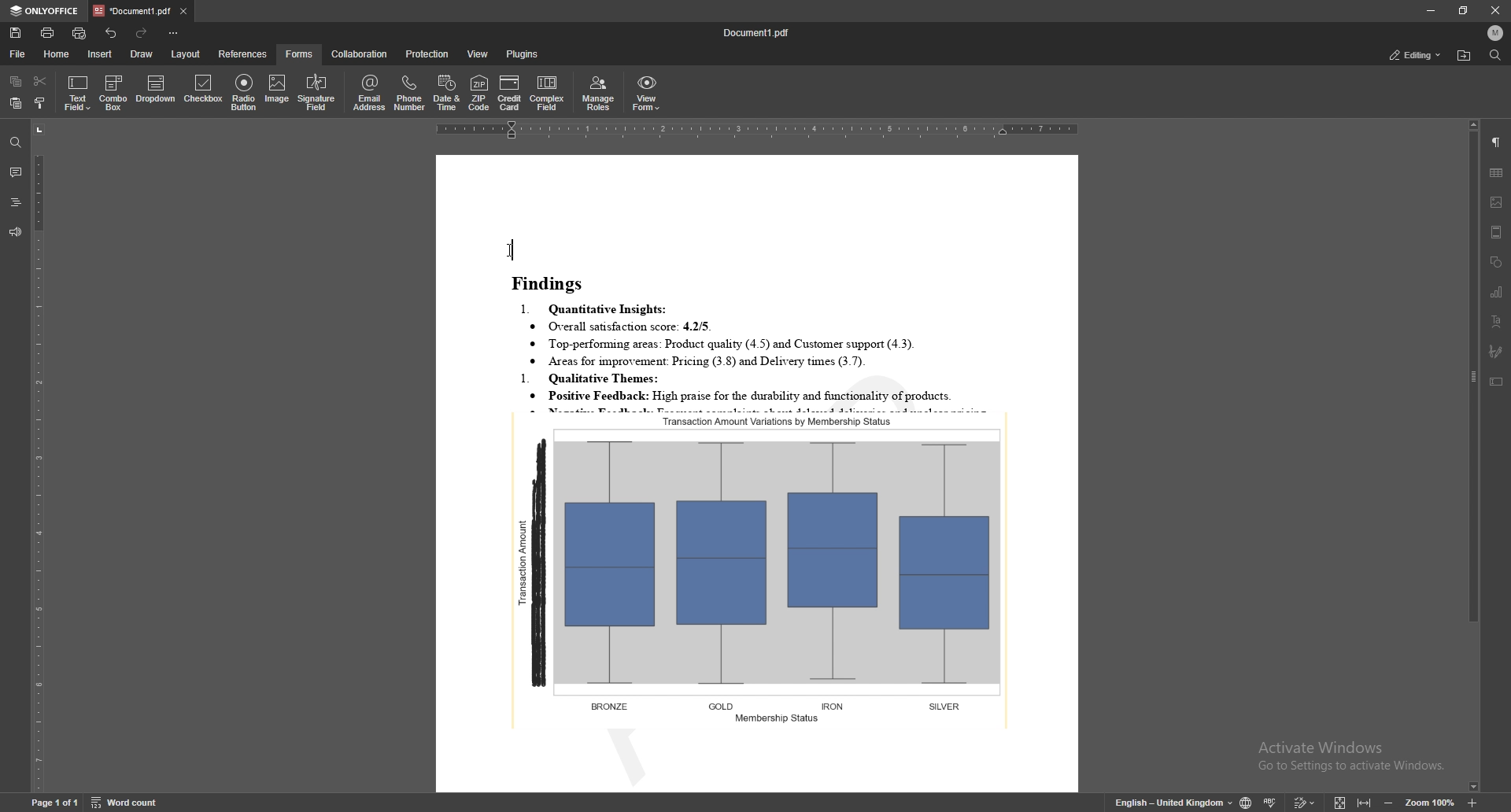 This screenshot has height=812, width=1511. I want to click on date and time, so click(446, 94).